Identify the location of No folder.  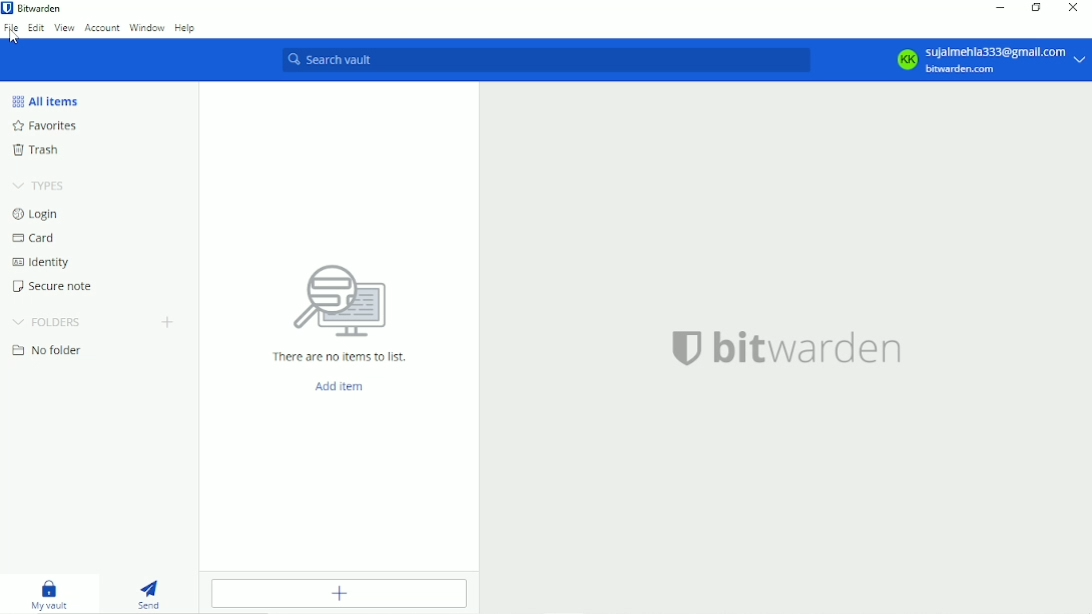
(49, 349).